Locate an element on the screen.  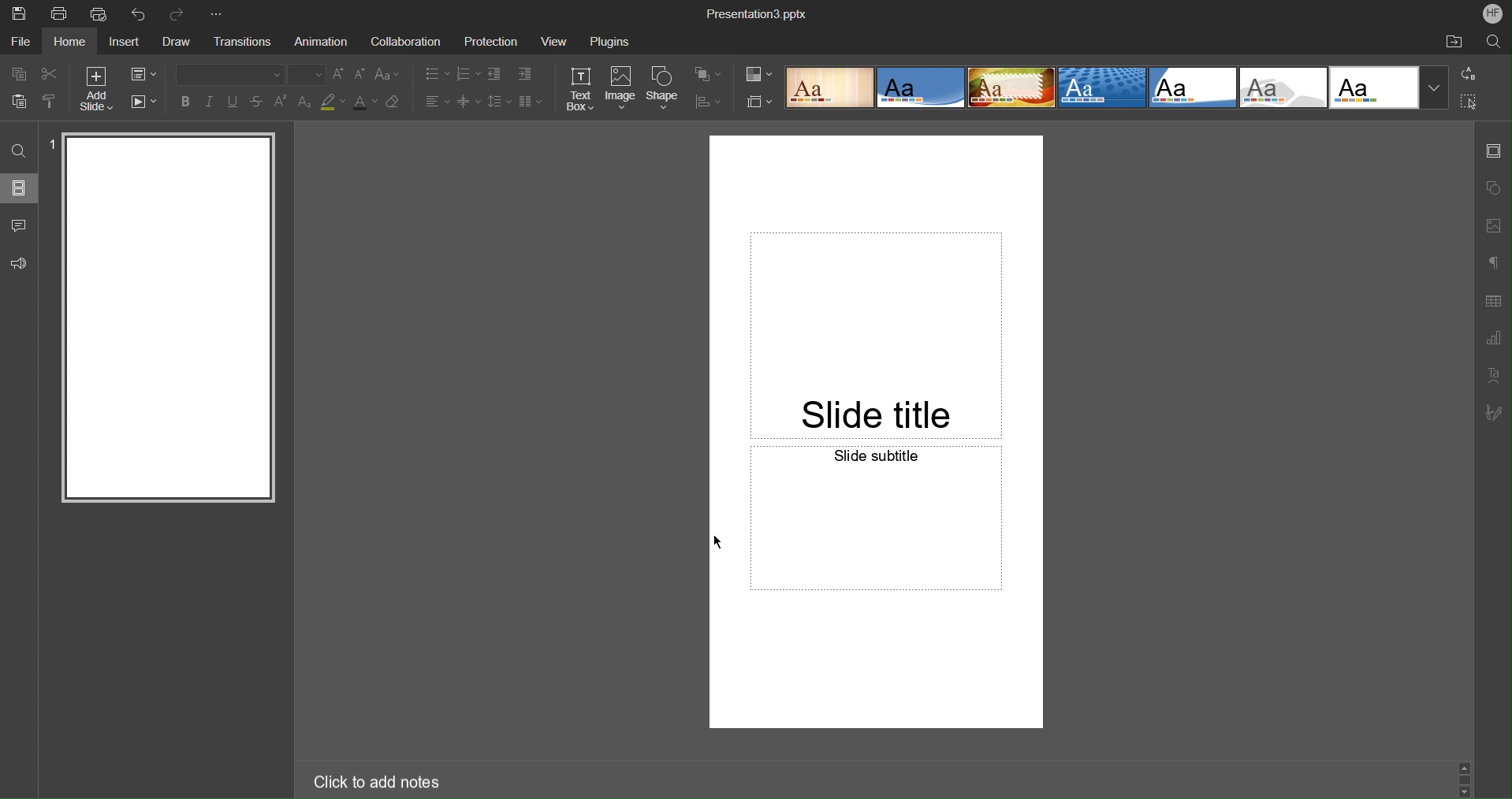
Shape Settings is located at coordinates (1493, 187).